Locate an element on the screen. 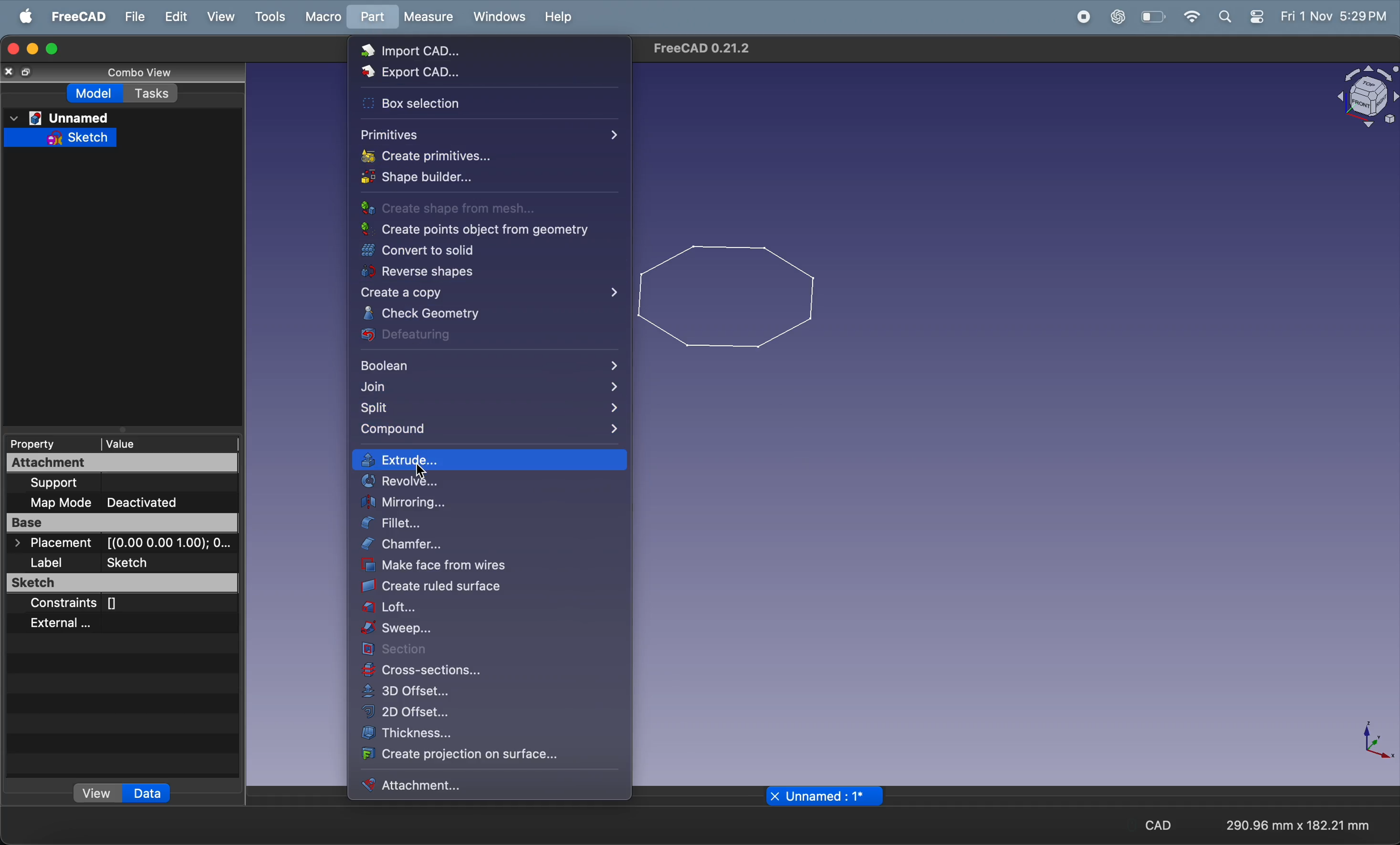  task is located at coordinates (153, 95).